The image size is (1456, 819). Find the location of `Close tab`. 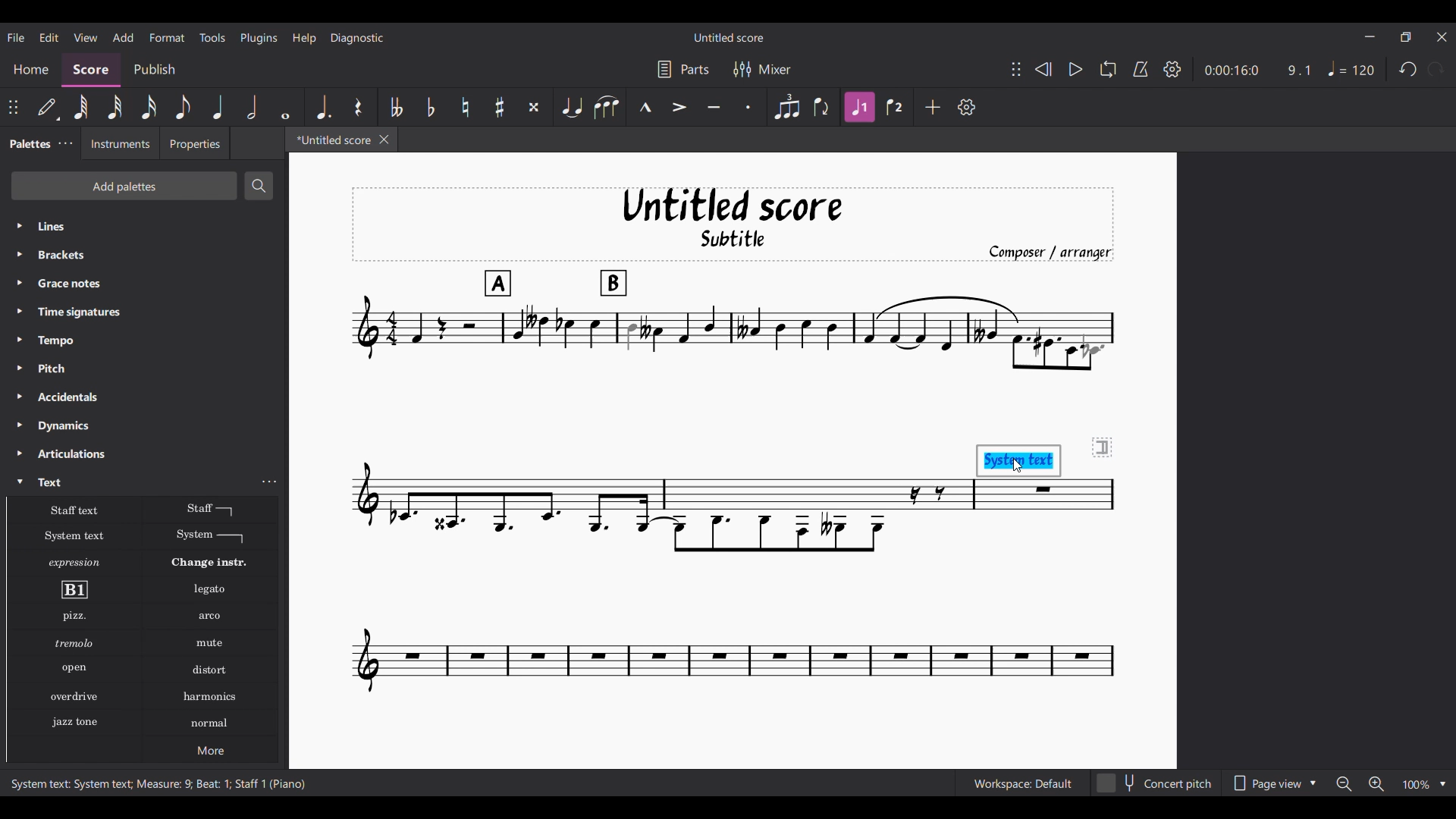

Close tab is located at coordinates (384, 140).